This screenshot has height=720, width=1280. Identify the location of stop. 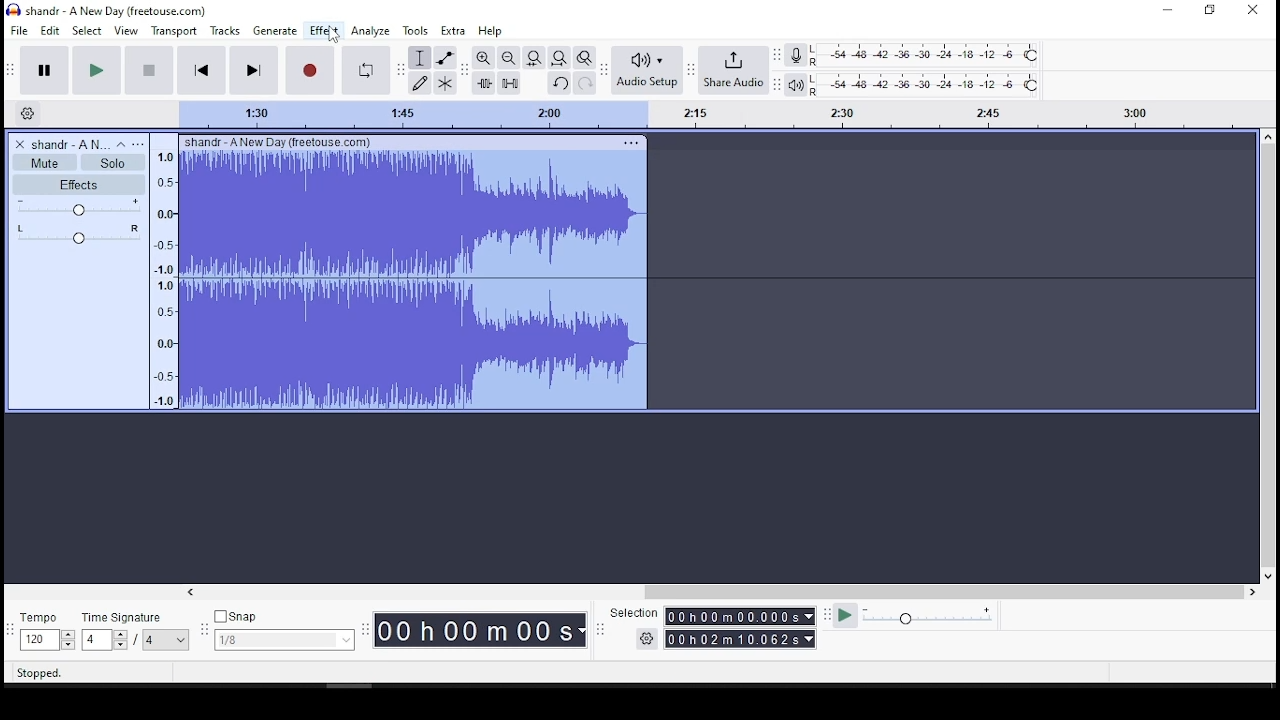
(147, 71).